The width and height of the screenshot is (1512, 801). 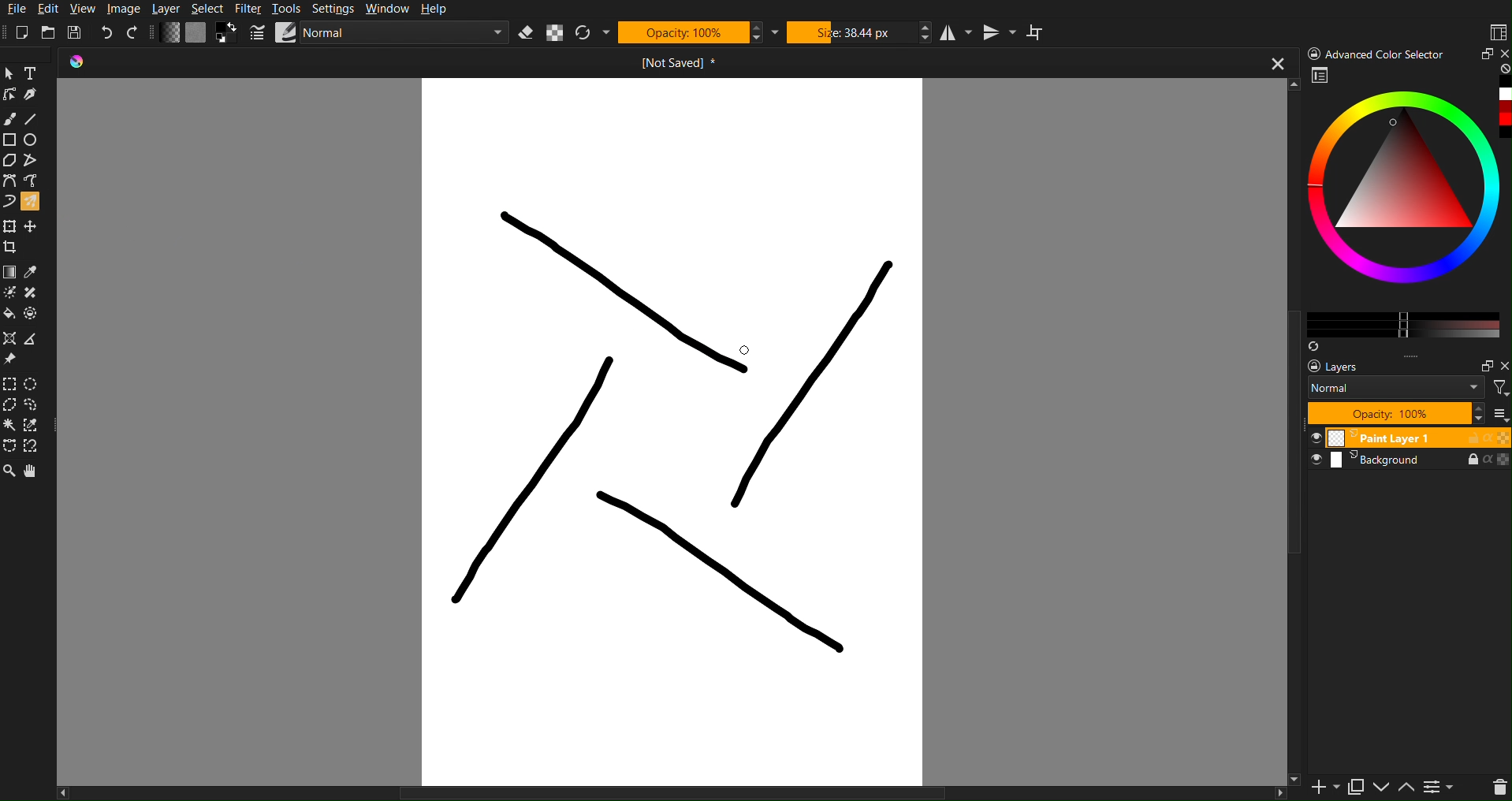 I want to click on Line, so click(x=35, y=119).